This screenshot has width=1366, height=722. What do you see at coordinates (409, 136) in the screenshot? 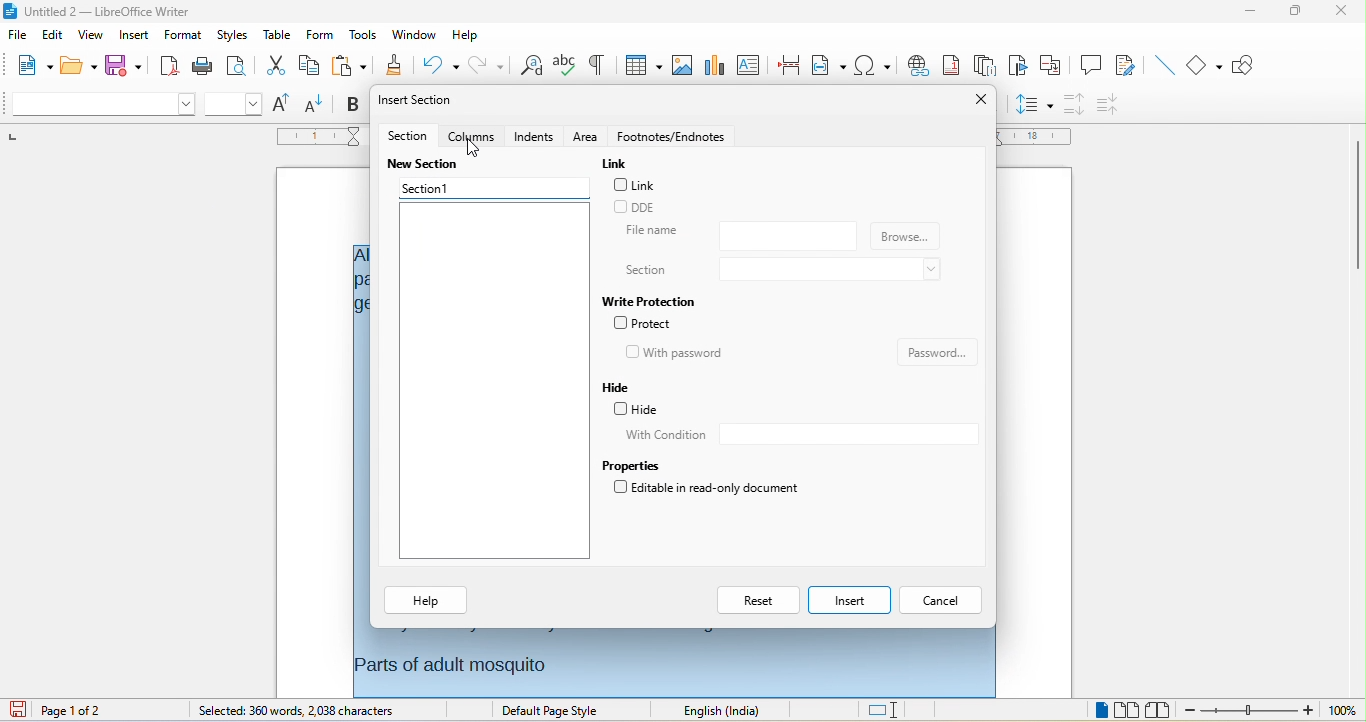
I see `section` at bounding box center [409, 136].